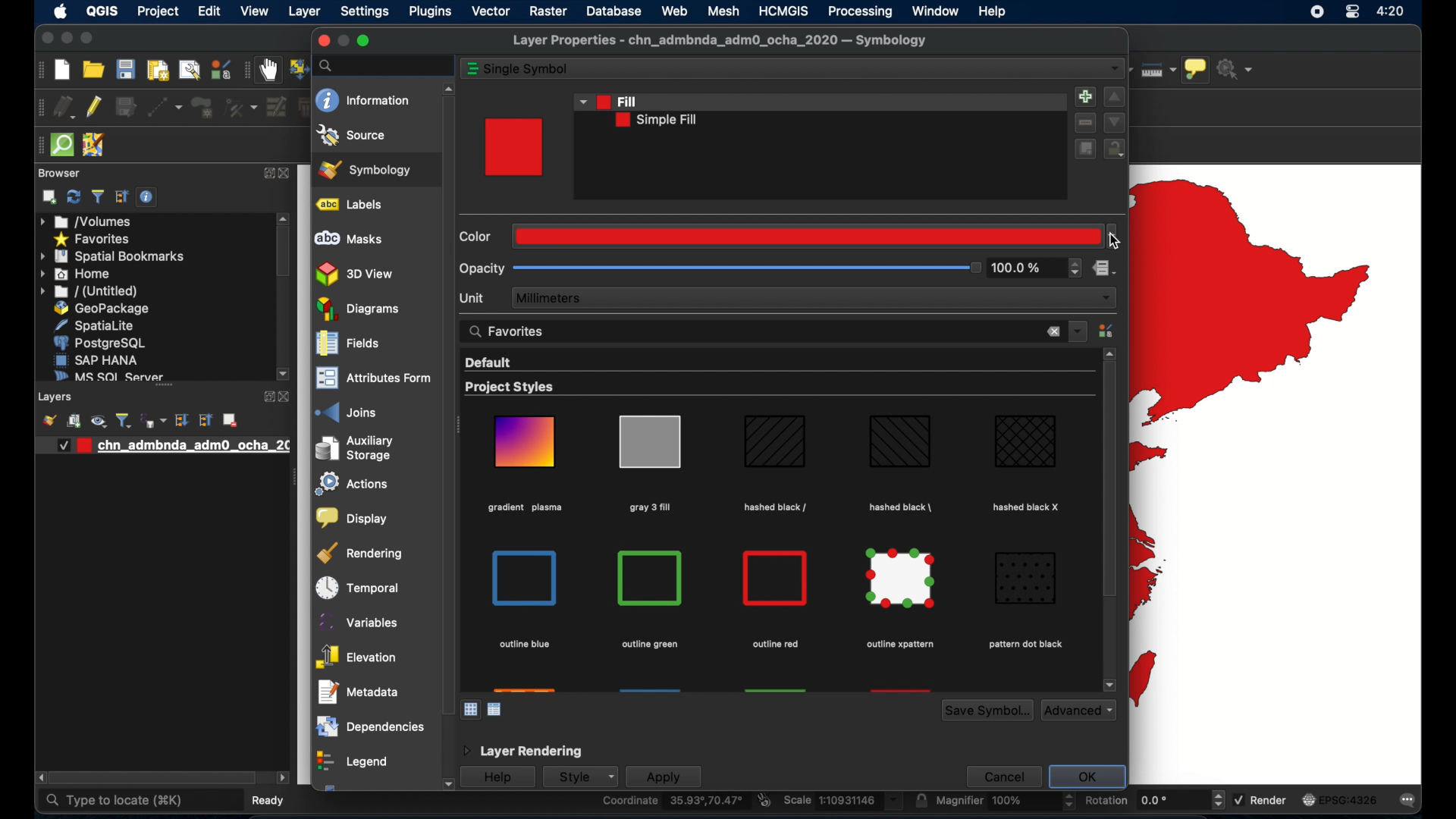 The height and width of the screenshot is (819, 1456). I want to click on edit, so click(210, 11).